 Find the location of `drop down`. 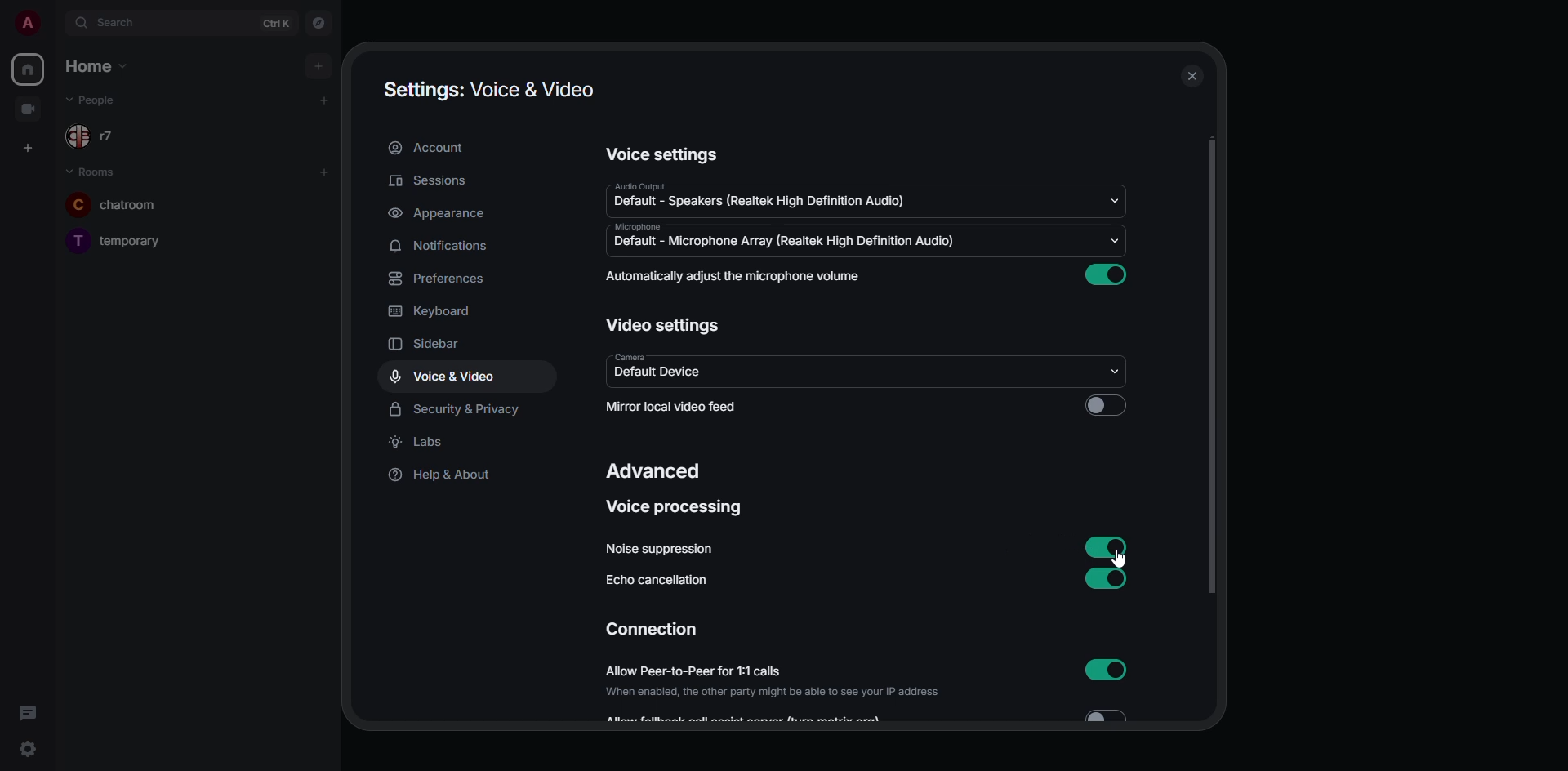

drop down is located at coordinates (1118, 198).